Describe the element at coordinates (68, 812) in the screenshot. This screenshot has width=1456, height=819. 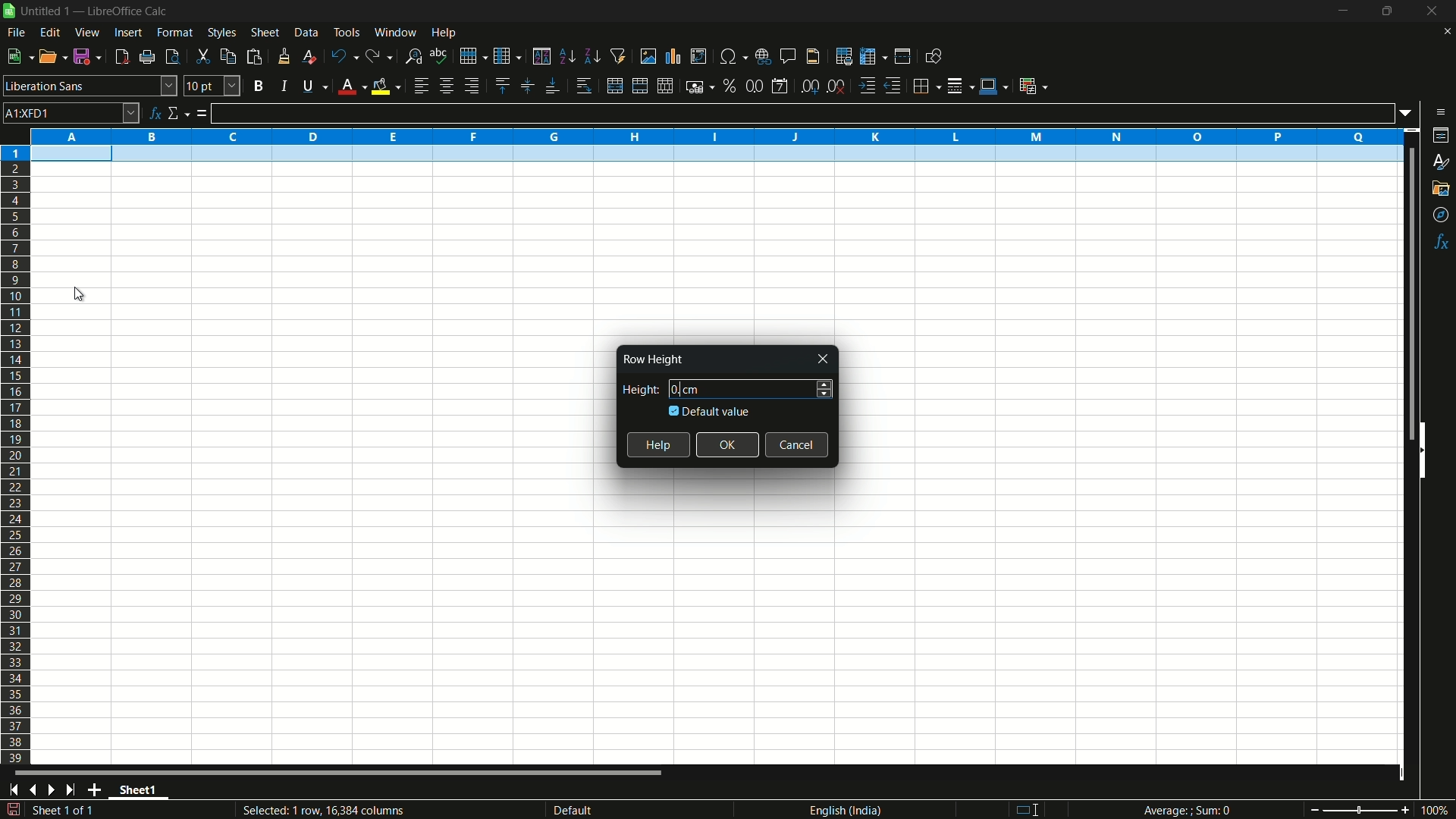
I see `sheet 1 of 1` at that location.